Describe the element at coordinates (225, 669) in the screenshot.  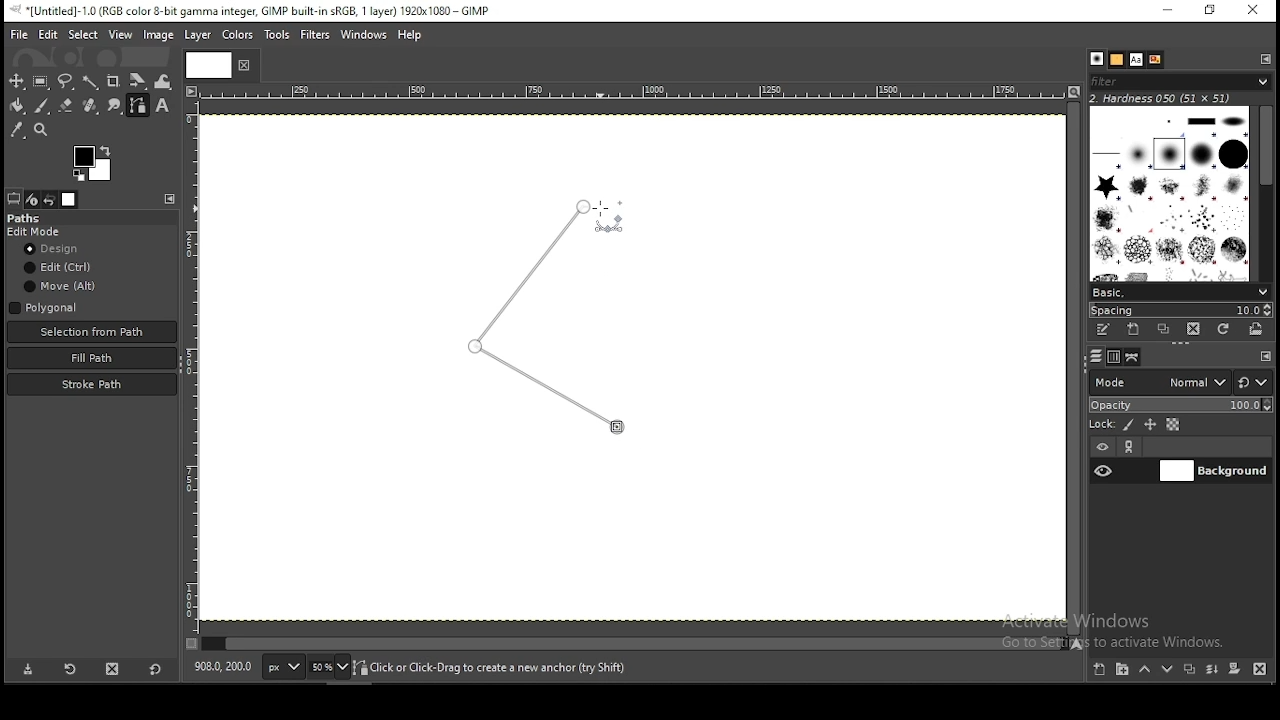
I see `872.0, 196.0` at that location.